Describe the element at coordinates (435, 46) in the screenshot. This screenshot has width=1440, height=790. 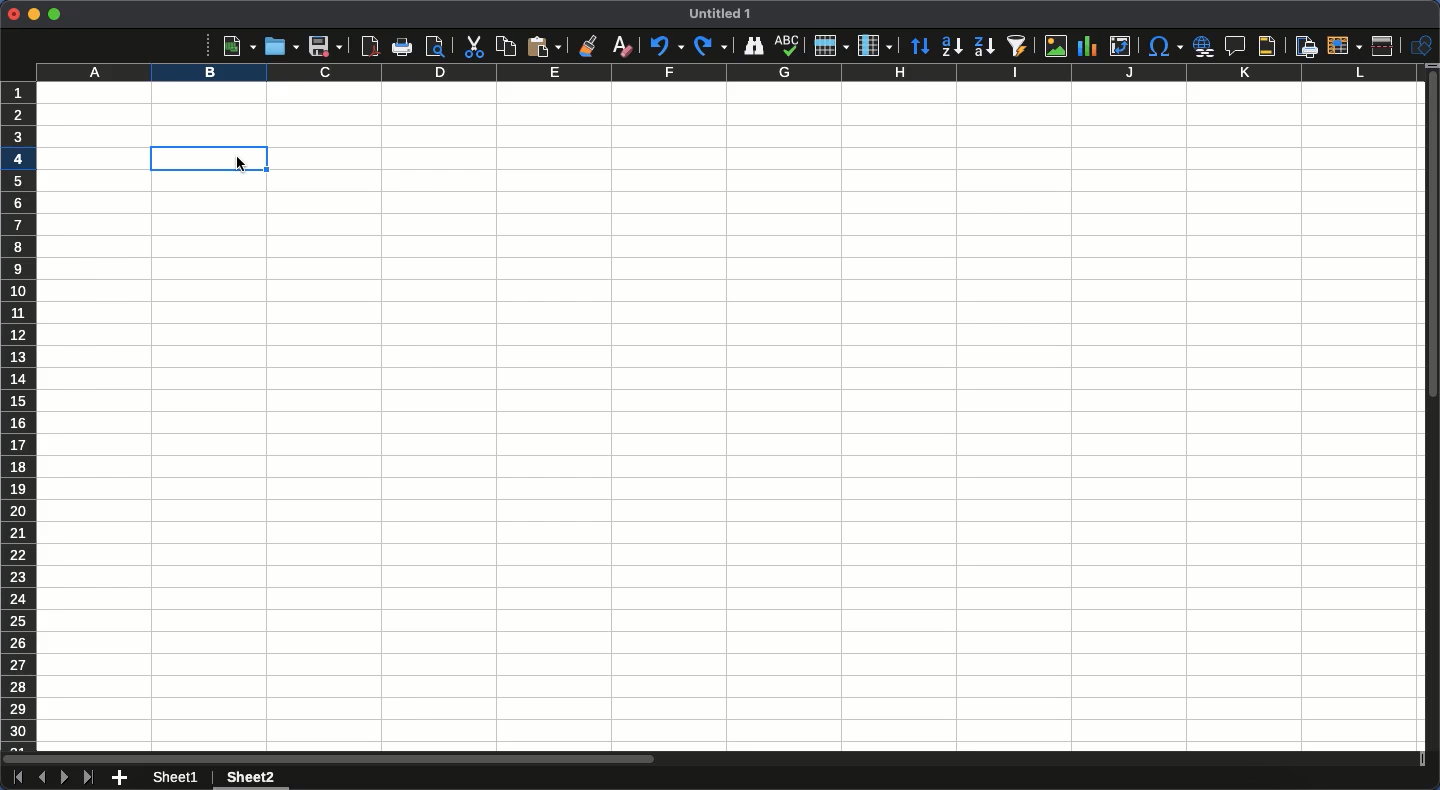
I see `Print preview` at that location.